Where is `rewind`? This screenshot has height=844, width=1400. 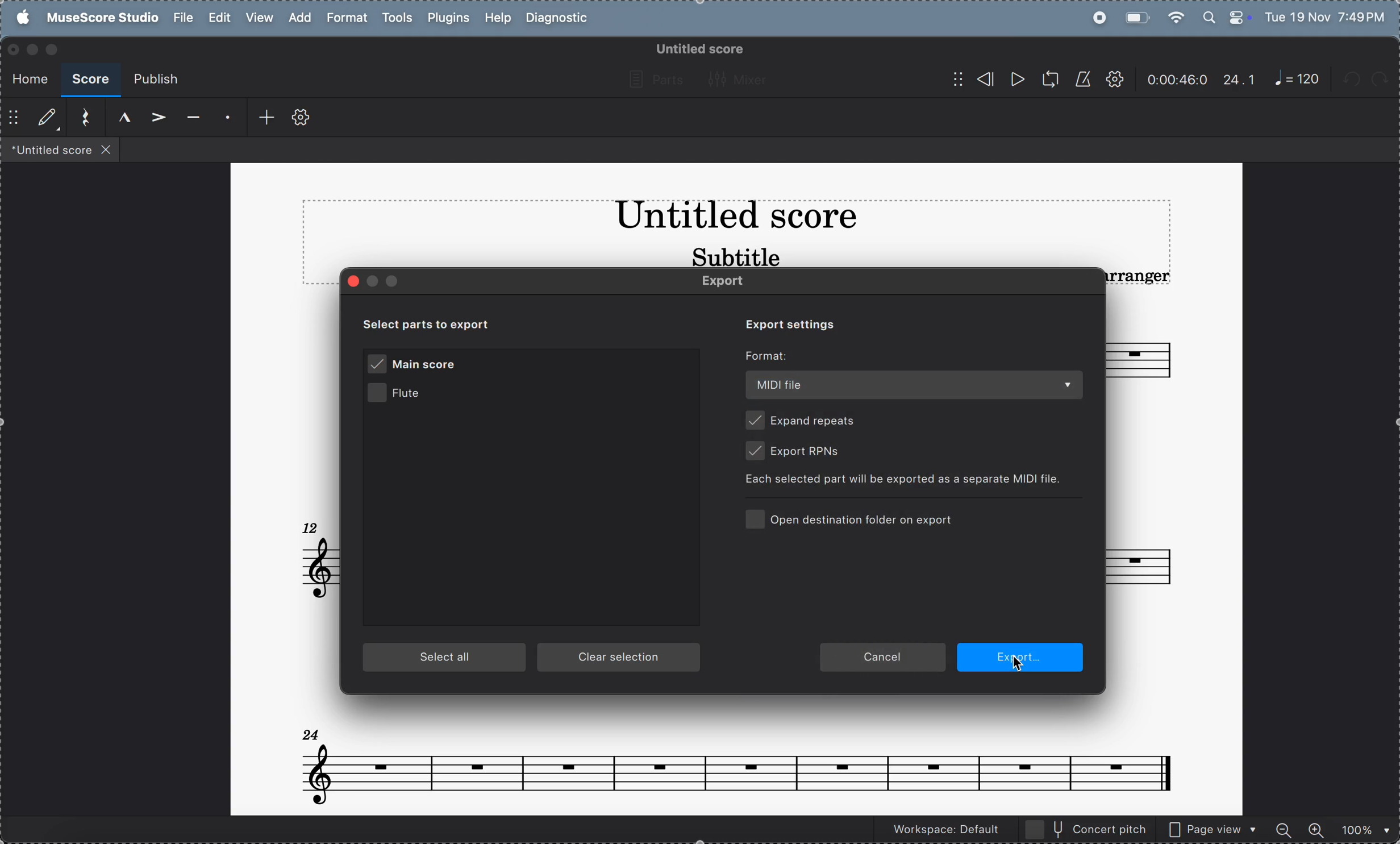 rewind is located at coordinates (972, 79).